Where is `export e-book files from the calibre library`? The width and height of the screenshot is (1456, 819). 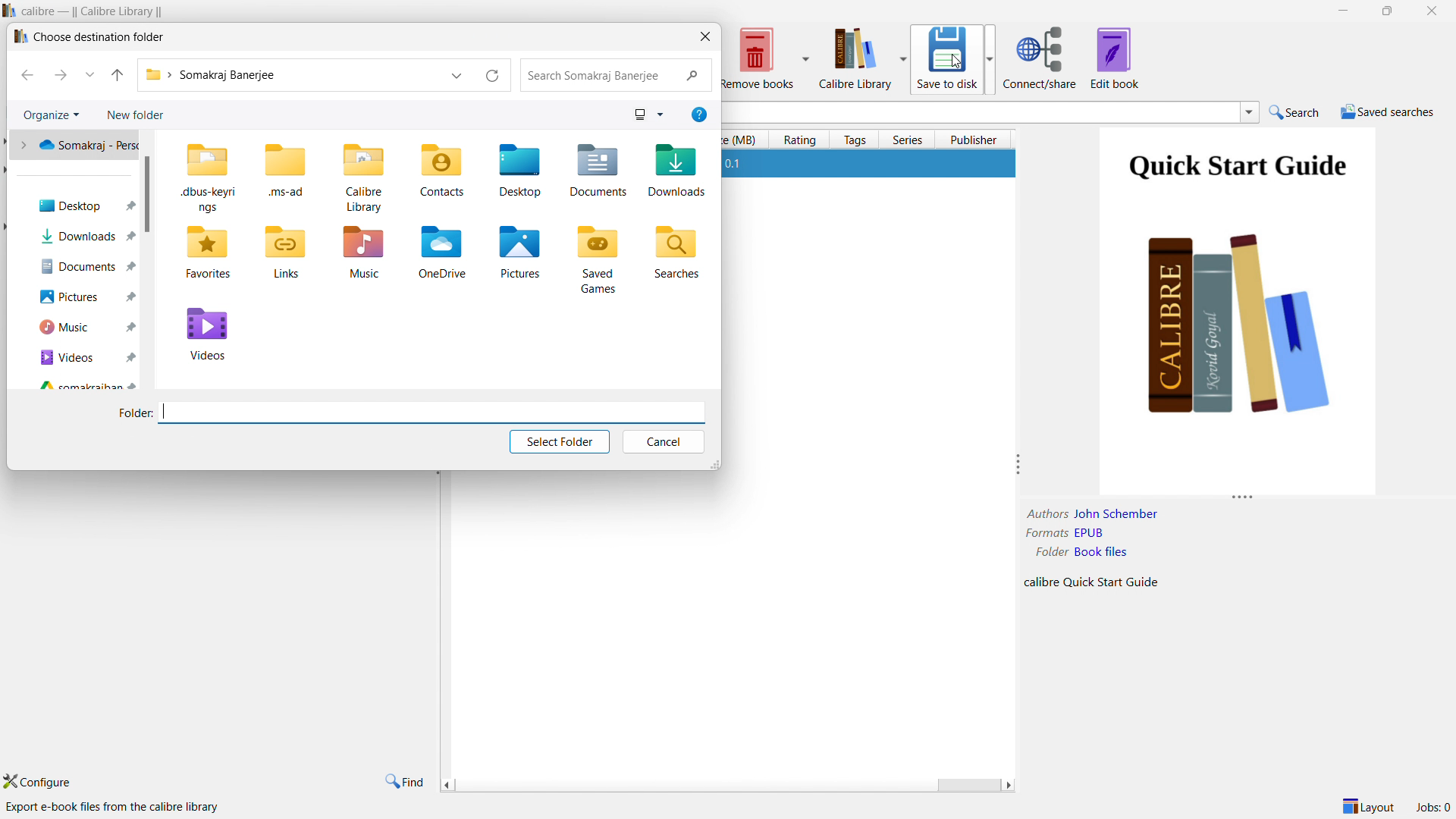 export e-book files from the calibre library is located at coordinates (115, 808).